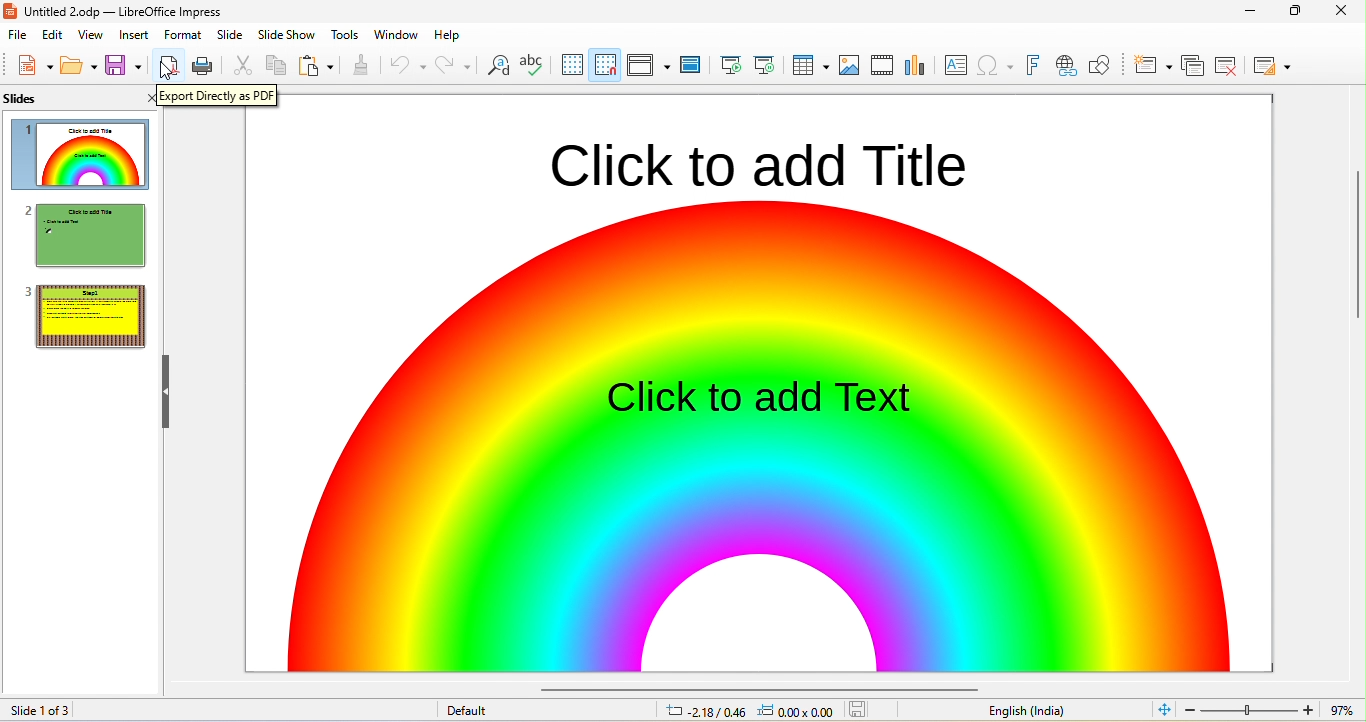  I want to click on save, so click(126, 64).